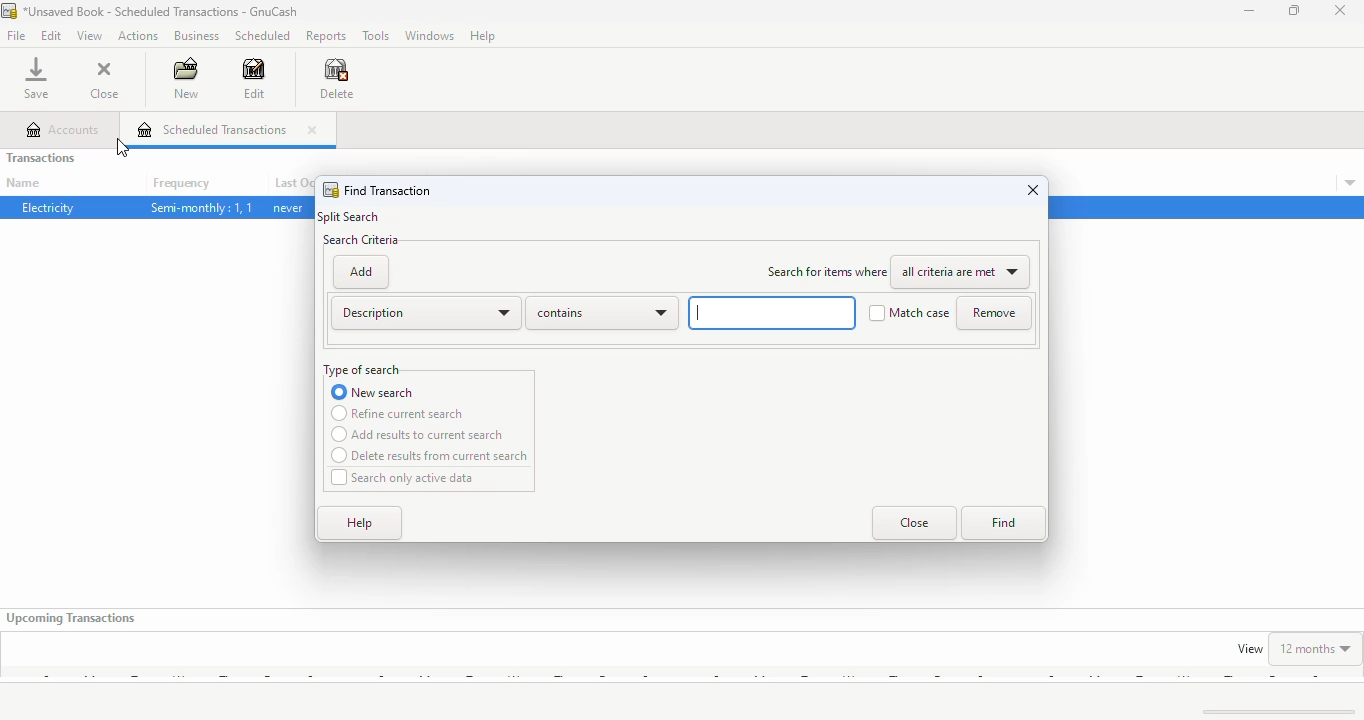  What do you see at coordinates (602, 313) in the screenshot?
I see `contains` at bounding box center [602, 313].